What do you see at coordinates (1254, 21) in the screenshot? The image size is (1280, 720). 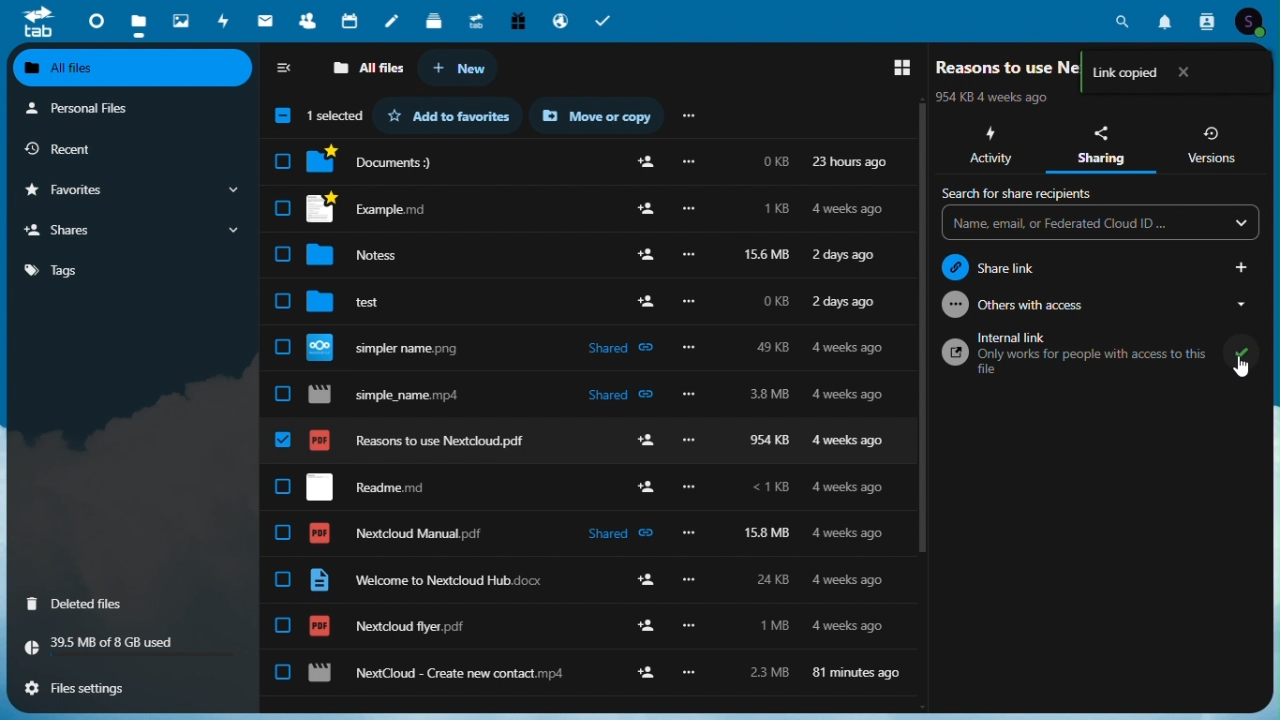 I see `account icon` at bounding box center [1254, 21].